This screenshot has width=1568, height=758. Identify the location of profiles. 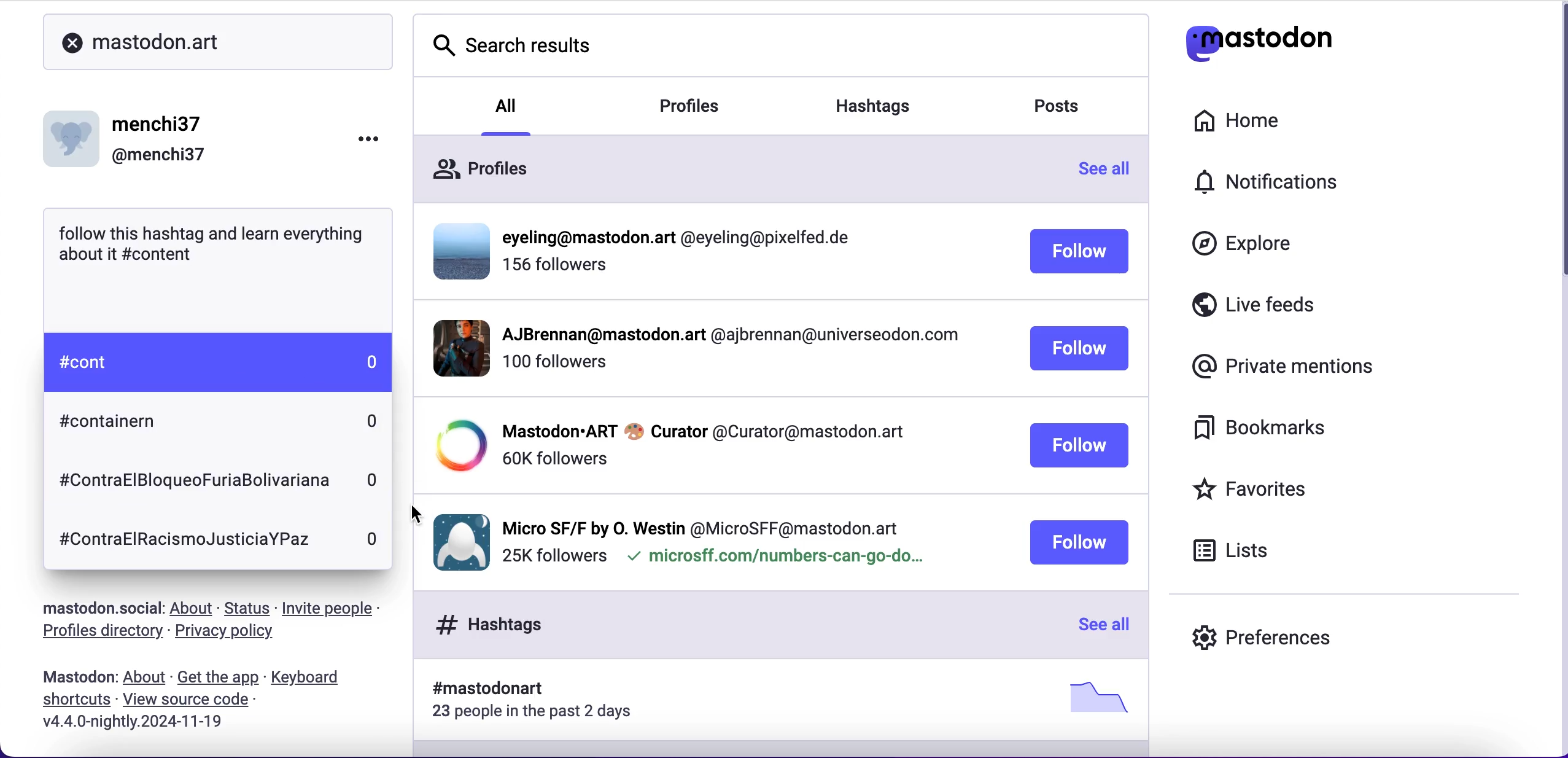
(481, 173).